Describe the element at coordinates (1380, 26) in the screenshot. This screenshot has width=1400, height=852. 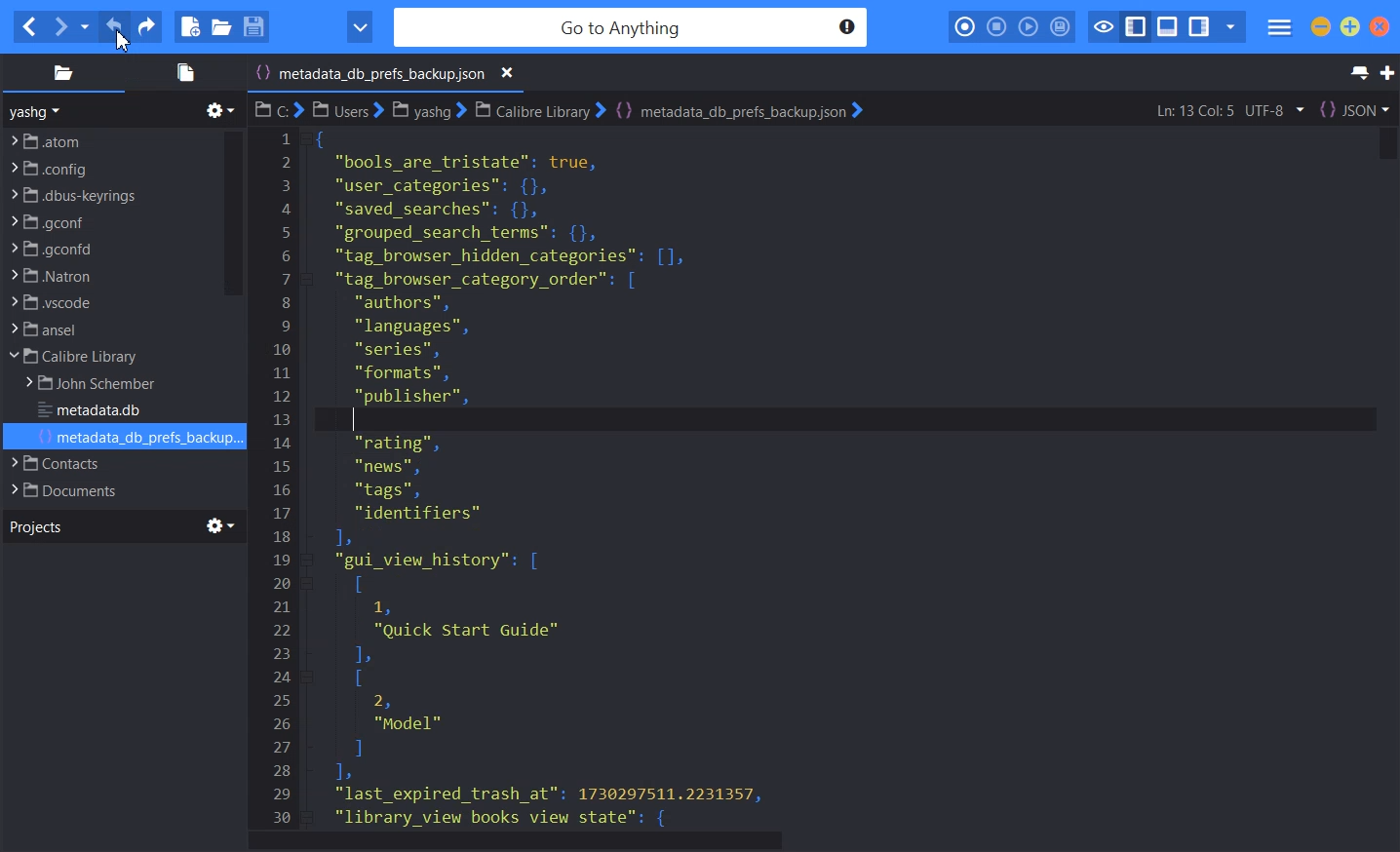
I see `Close` at that location.